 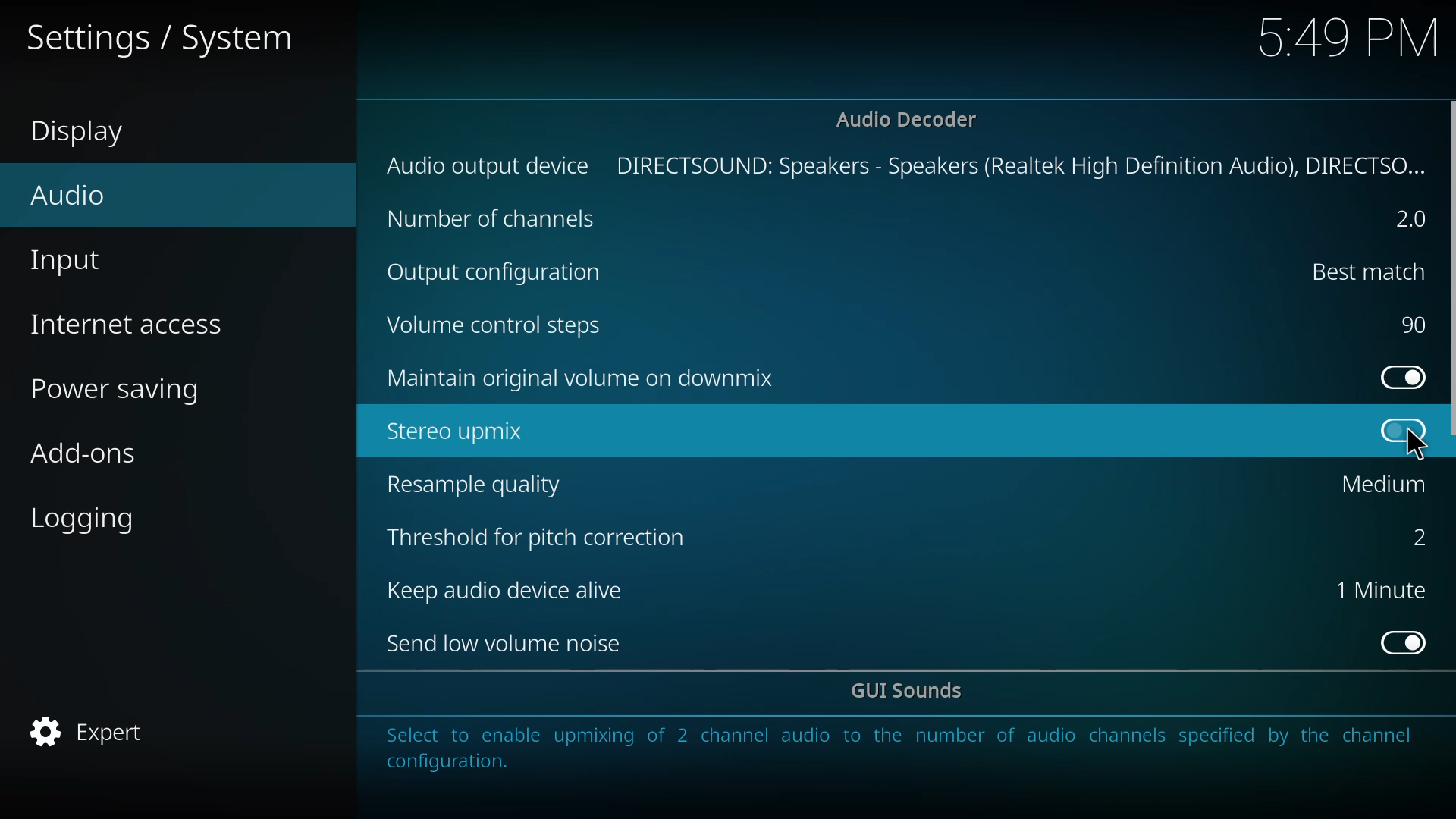 What do you see at coordinates (508, 645) in the screenshot?
I see `send low volume noise` at bounding box center [508, 645].